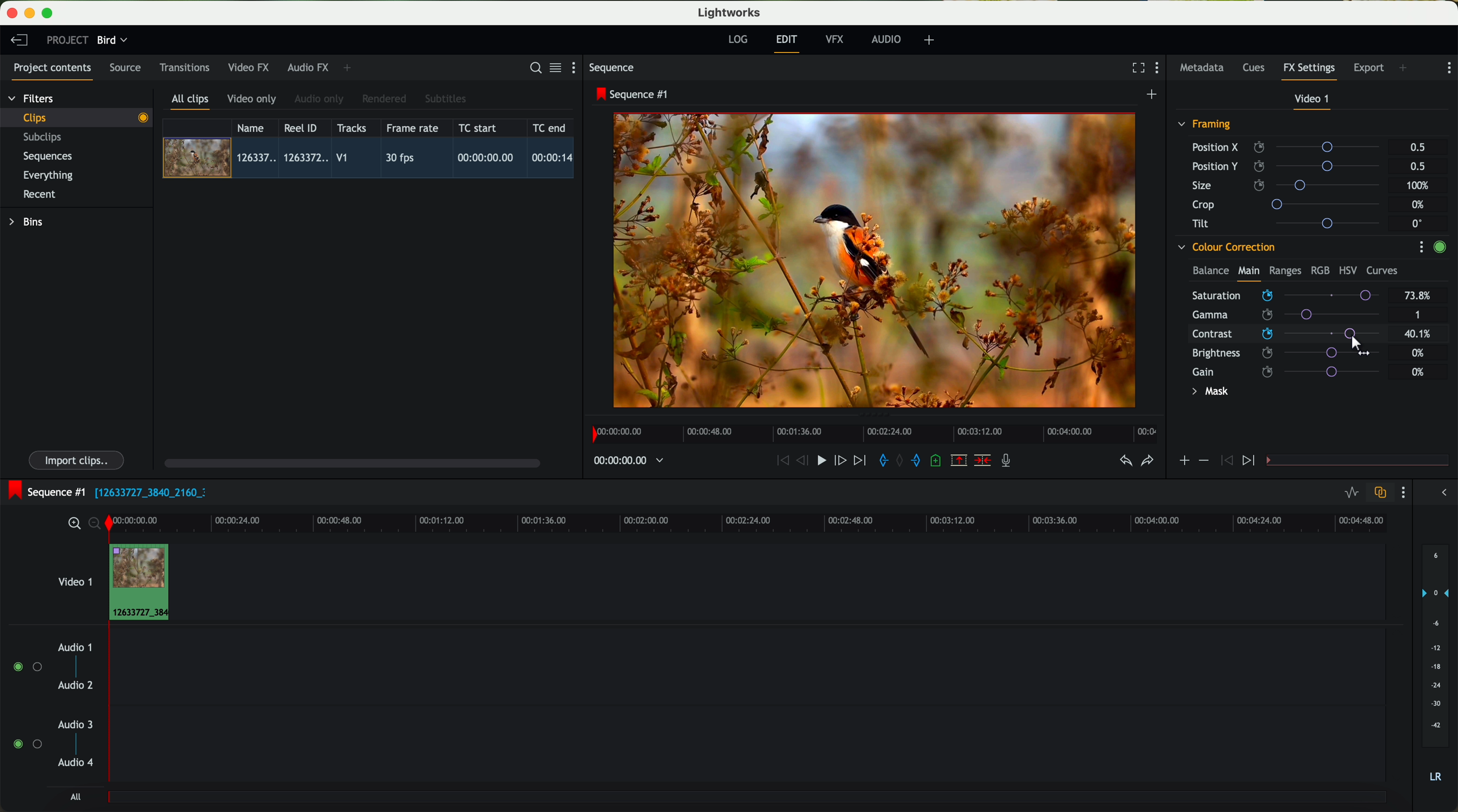  Describe the element at coordinates (1136, 67) in the screenshot. I see `fullscreen` at that location.